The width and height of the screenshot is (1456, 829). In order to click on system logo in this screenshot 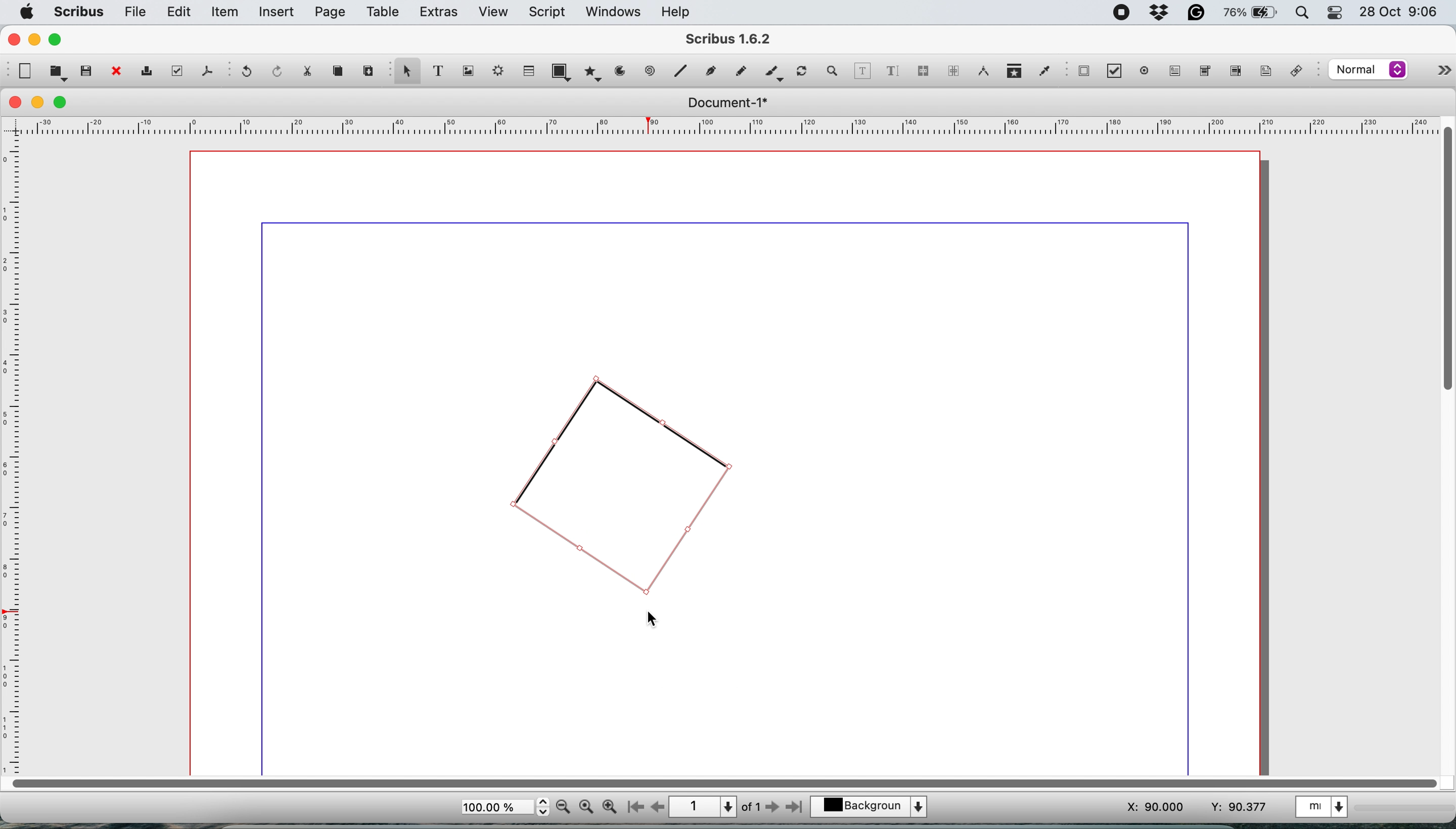, I will do `click(28, 11)`.